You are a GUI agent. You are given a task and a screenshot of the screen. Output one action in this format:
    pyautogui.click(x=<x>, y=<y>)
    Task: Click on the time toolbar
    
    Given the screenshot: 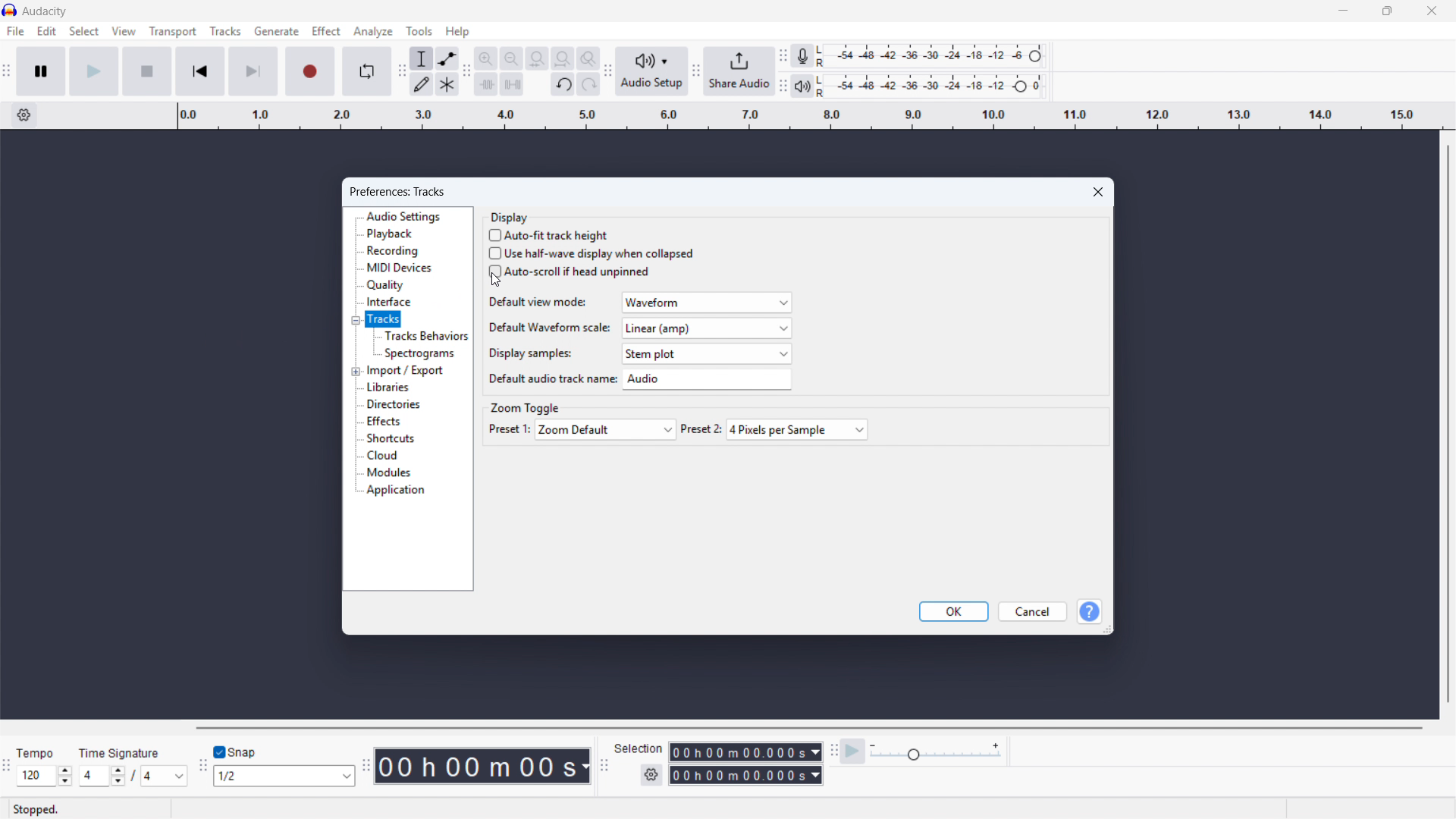 What is the action you would take?
    pyautogui.click(x=364, y=767)
    